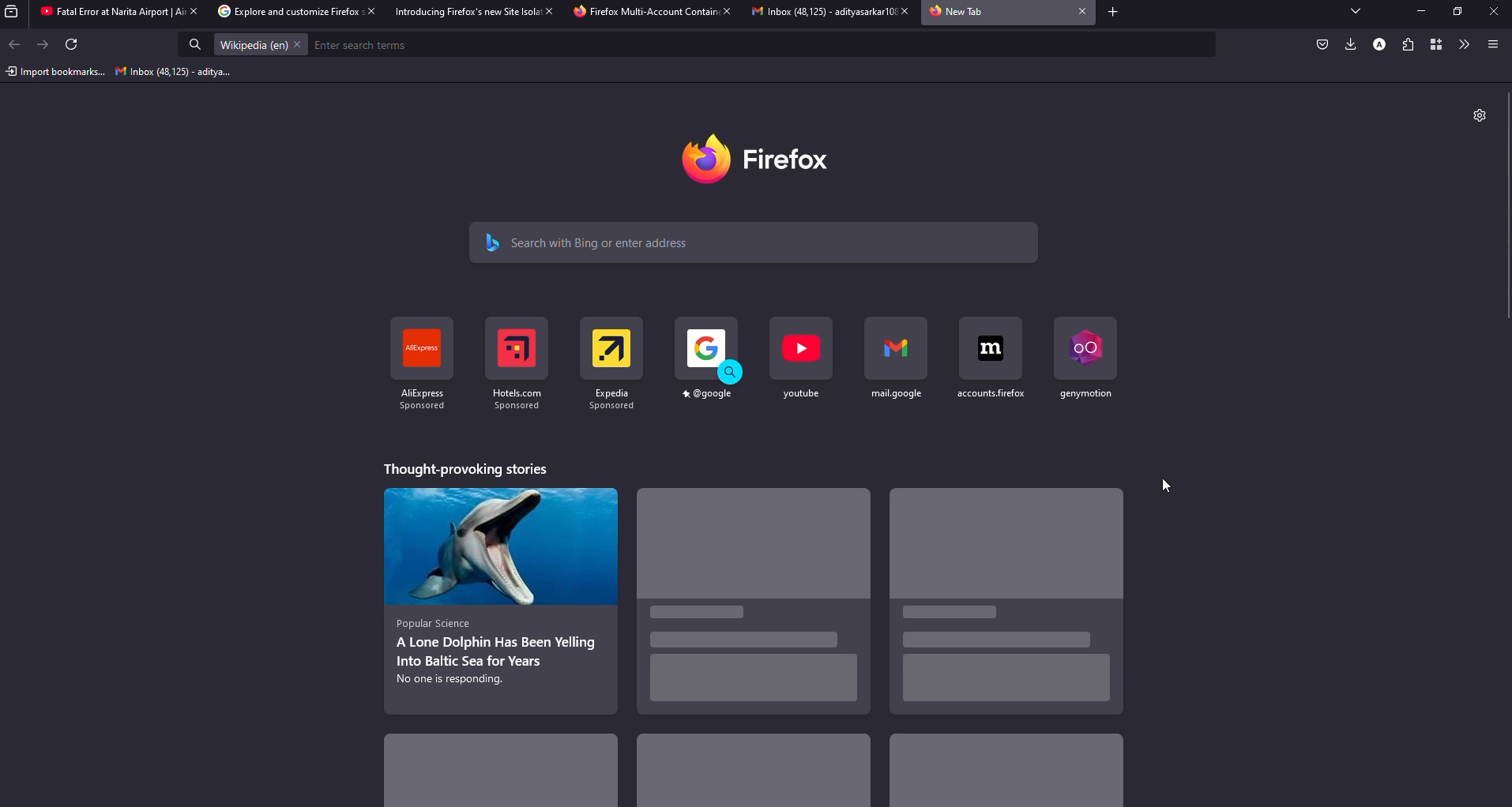 The width and height of the screenshot is (1512, 807). What do you see at coordinates (1004, 774) in the screenshot?
I see `stories` at bounding box center [1004, 774].